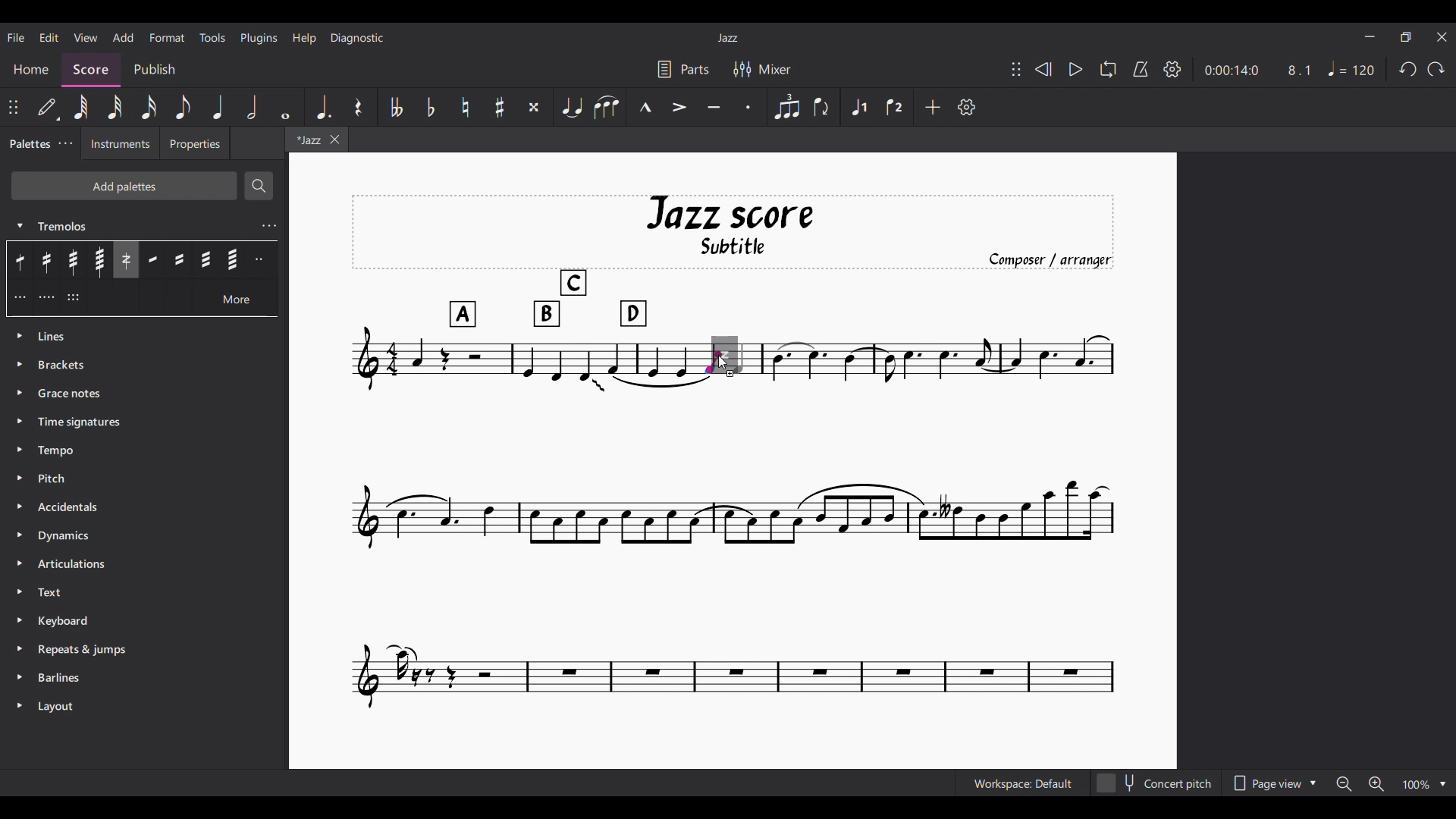 Image resolution: width=1456 pixels, height=819 pixels. I want to click on Staccato, so click(748, 107).